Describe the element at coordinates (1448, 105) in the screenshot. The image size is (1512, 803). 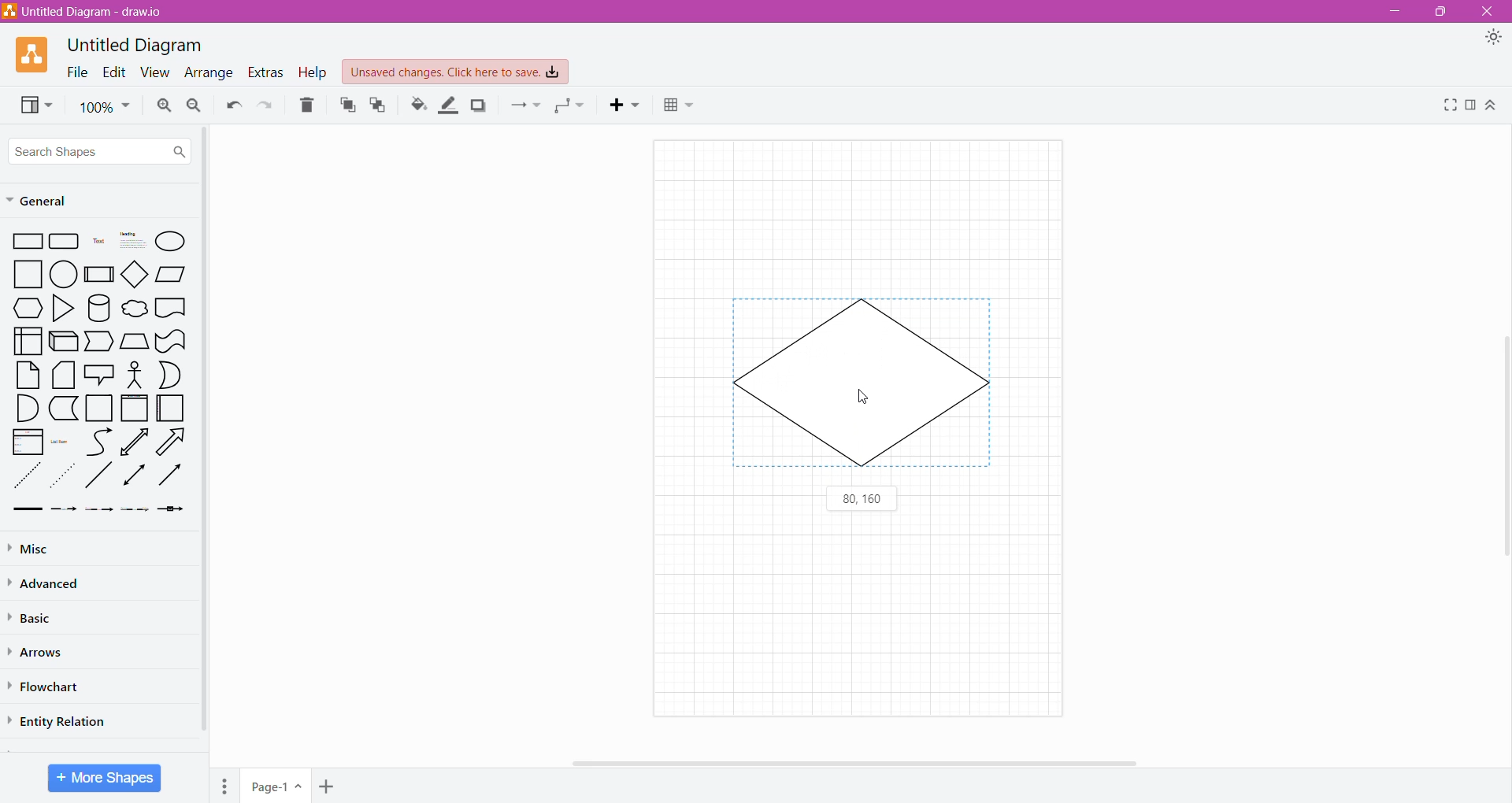
I see `FullScreen` at that location.